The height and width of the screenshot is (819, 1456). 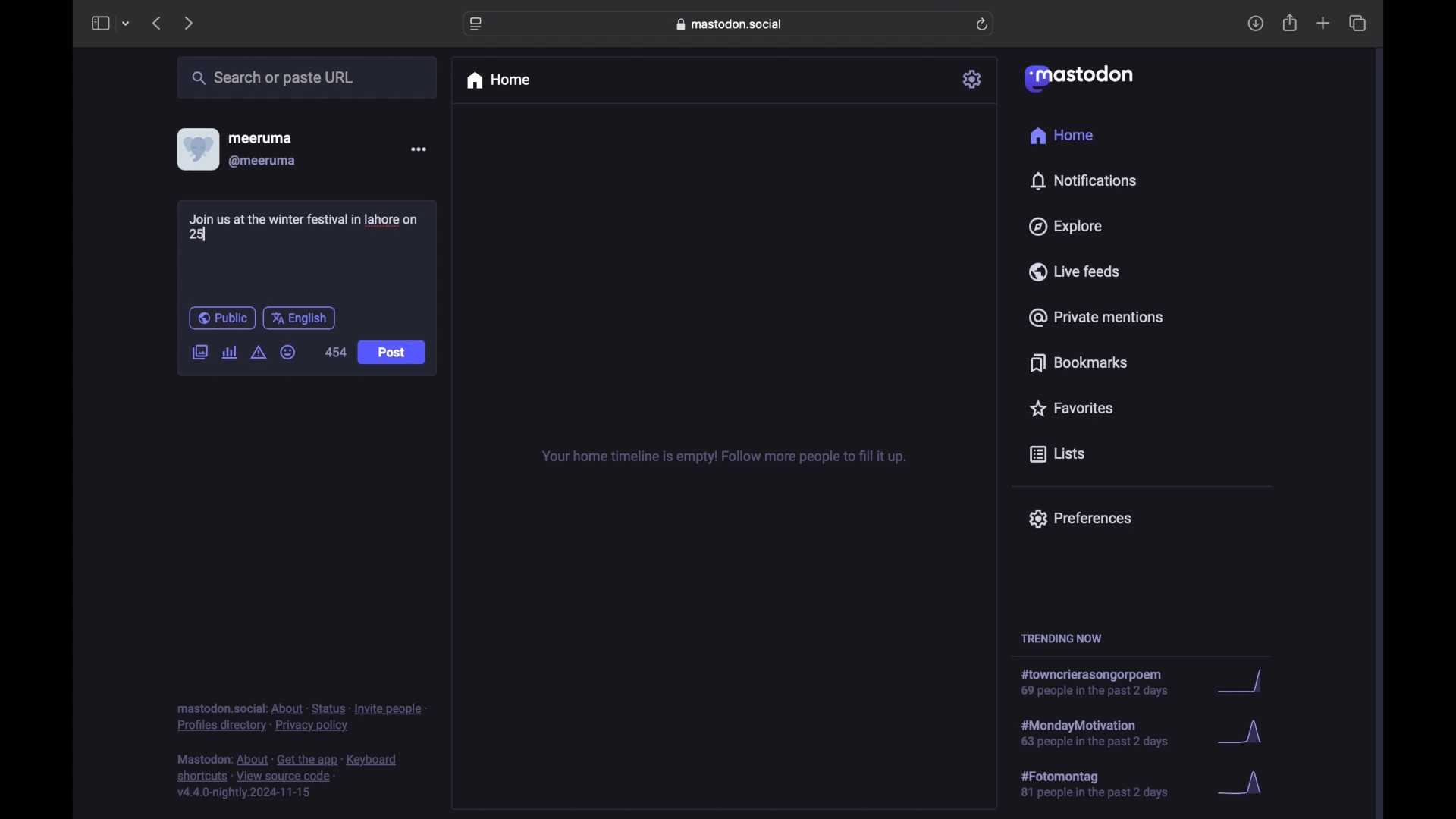 What do you see at coordinates (336, 353) in the screenshot?
I see `454` at bounding box center [336, 353].